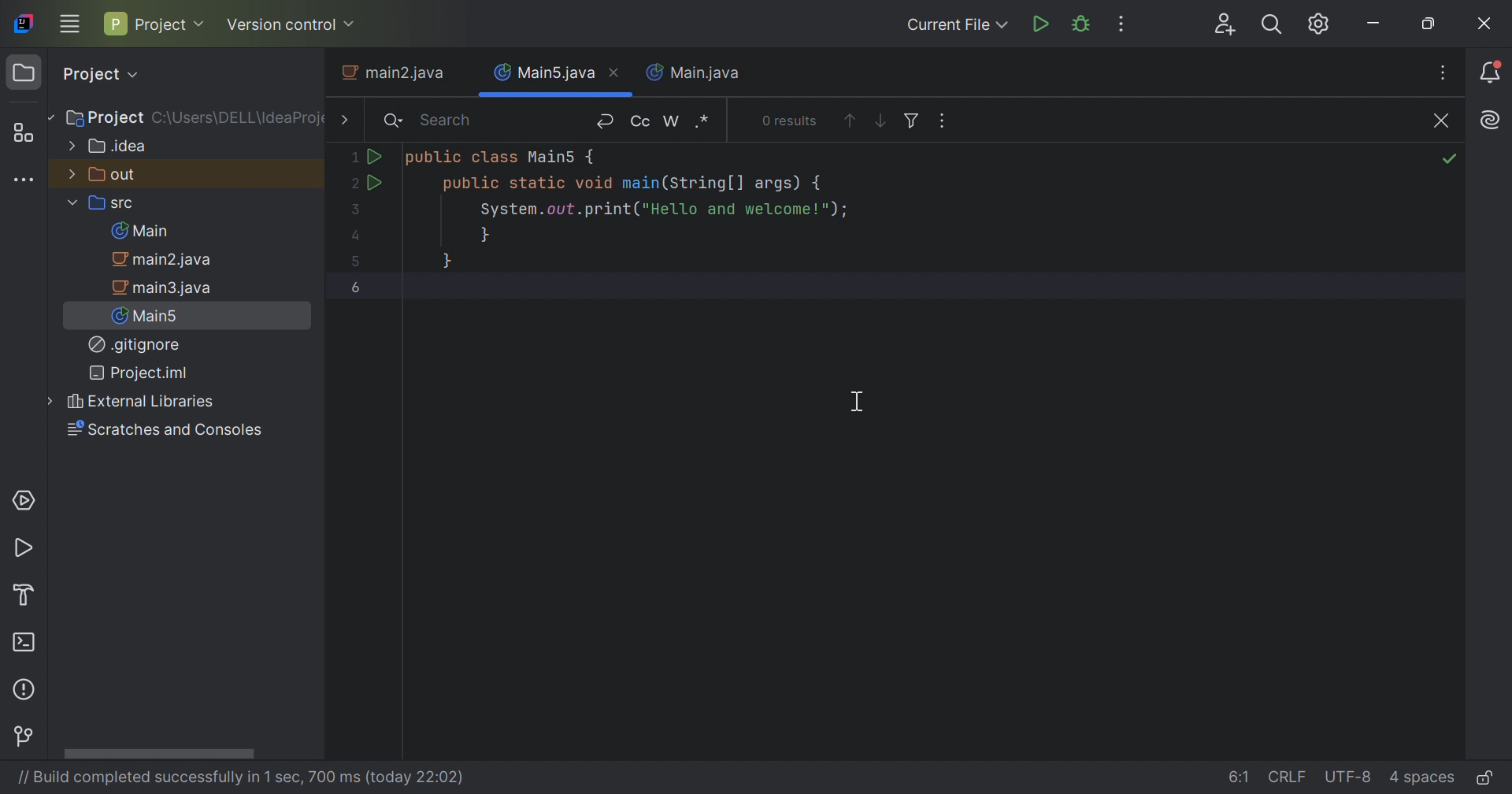 Image resolution: width=1512 pixels, height=794 pixels. What do you see at coordinates (454, 122) in the screenshot?
I see `Search` at bounding box center [454, 122].